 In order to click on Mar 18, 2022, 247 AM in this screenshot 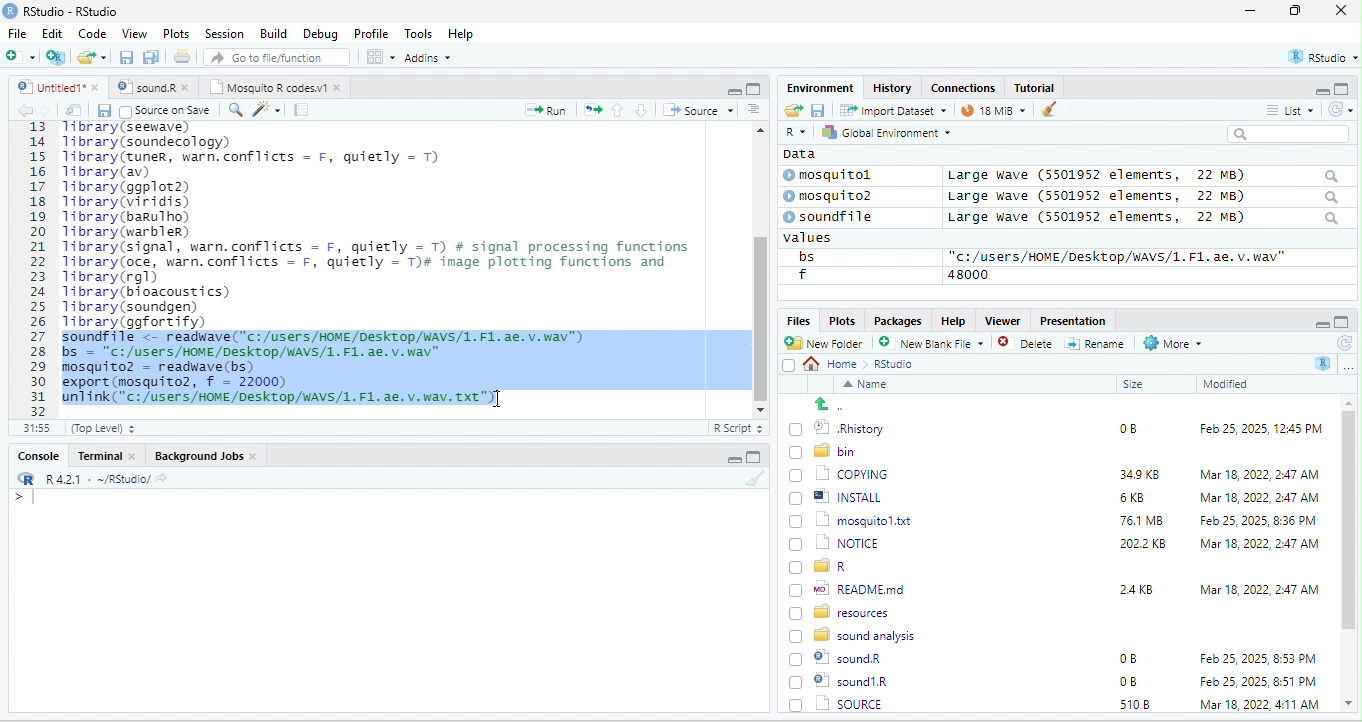, I will do `click(1260, 474)`.